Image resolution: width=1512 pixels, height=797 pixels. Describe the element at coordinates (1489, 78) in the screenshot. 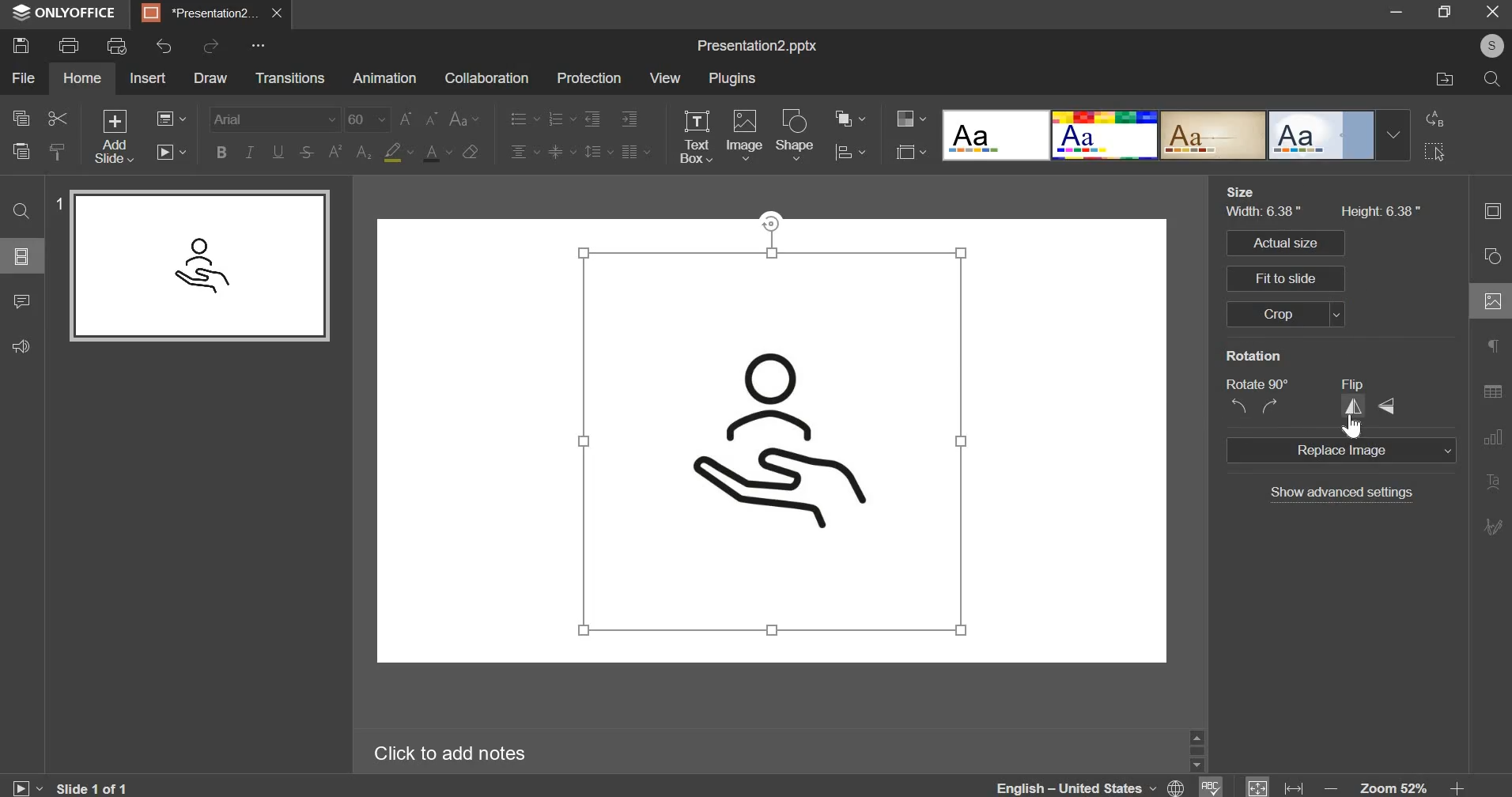

I see `search` at that location.